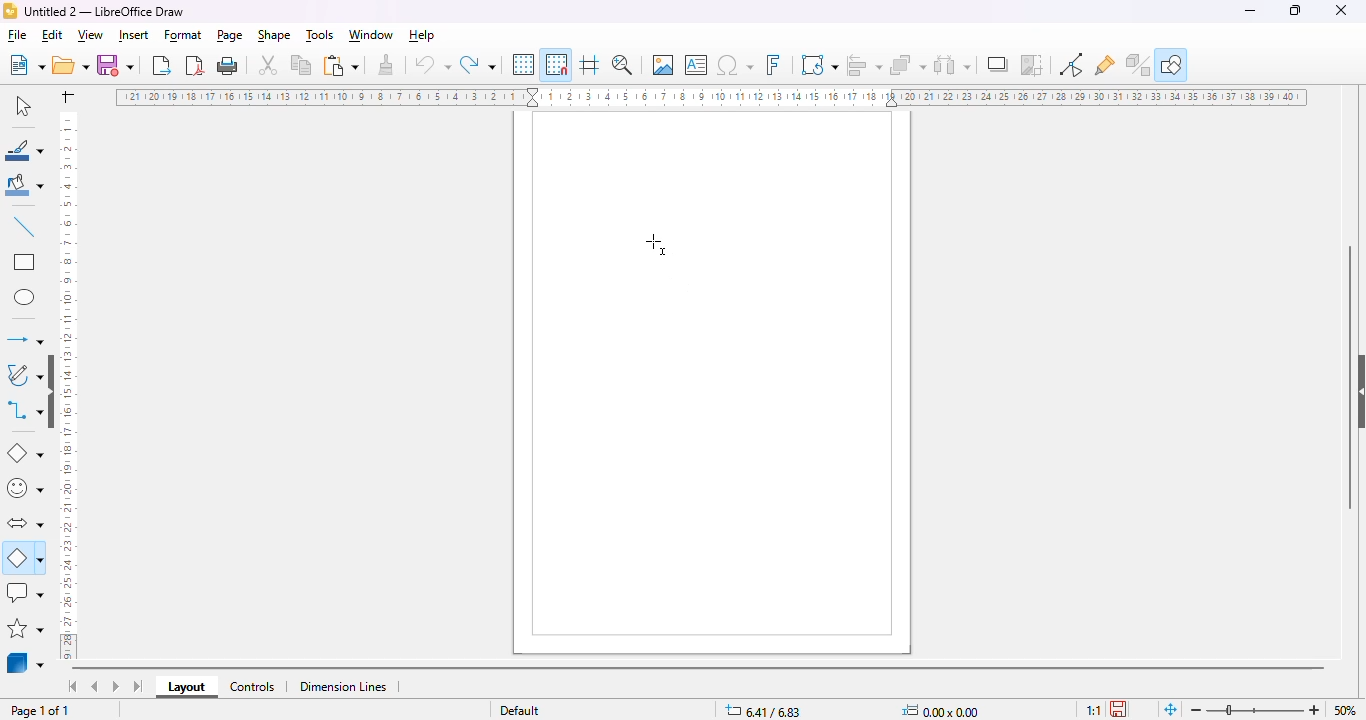 Image resolution: width=1366 pixels, height=720 pixels. Describe the element at coordinates (341, 65) in the screenshot. I see `paste` at that location.